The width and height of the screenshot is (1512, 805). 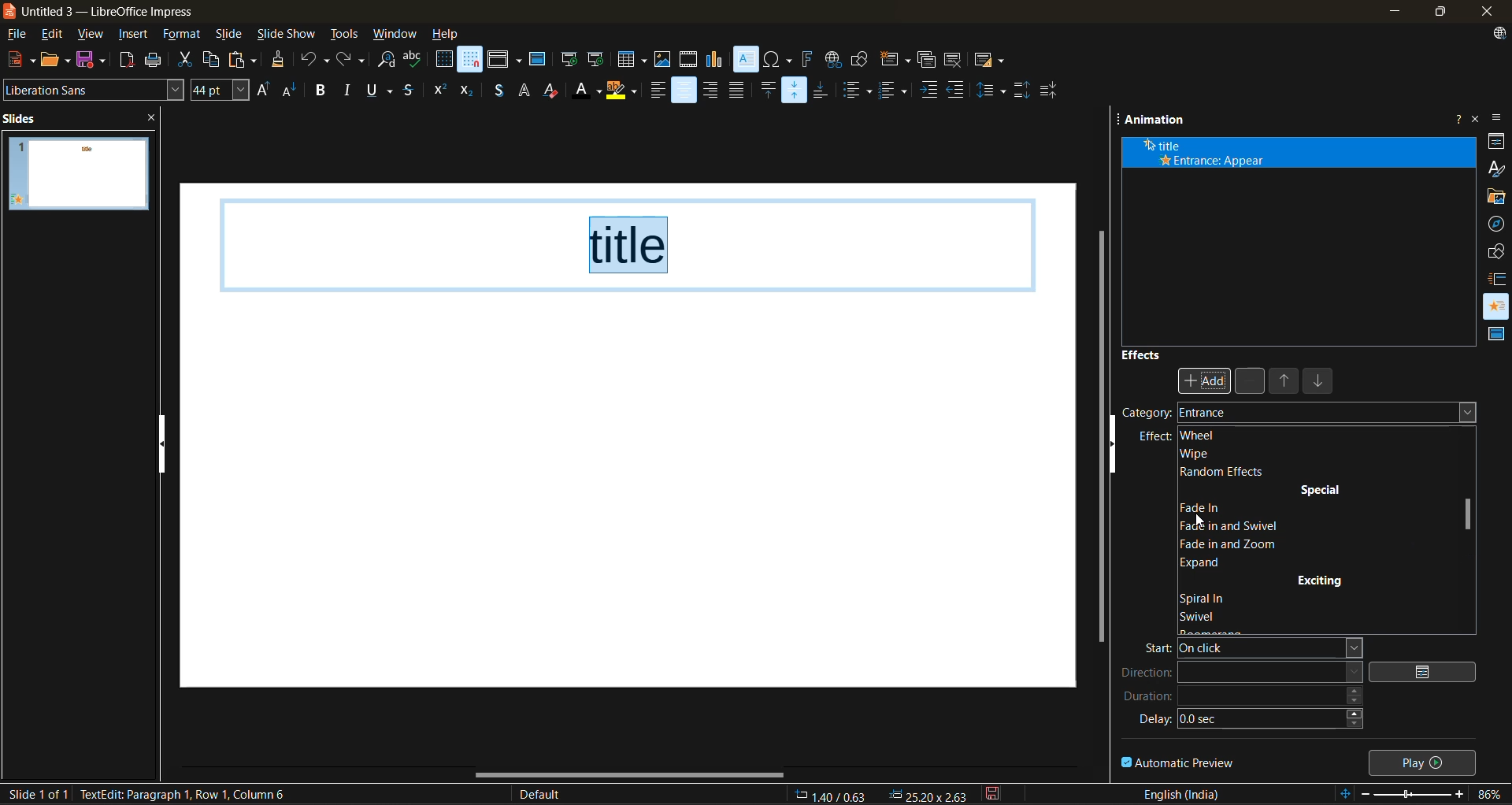 I want to click on options, so click(x=1430, y=672).